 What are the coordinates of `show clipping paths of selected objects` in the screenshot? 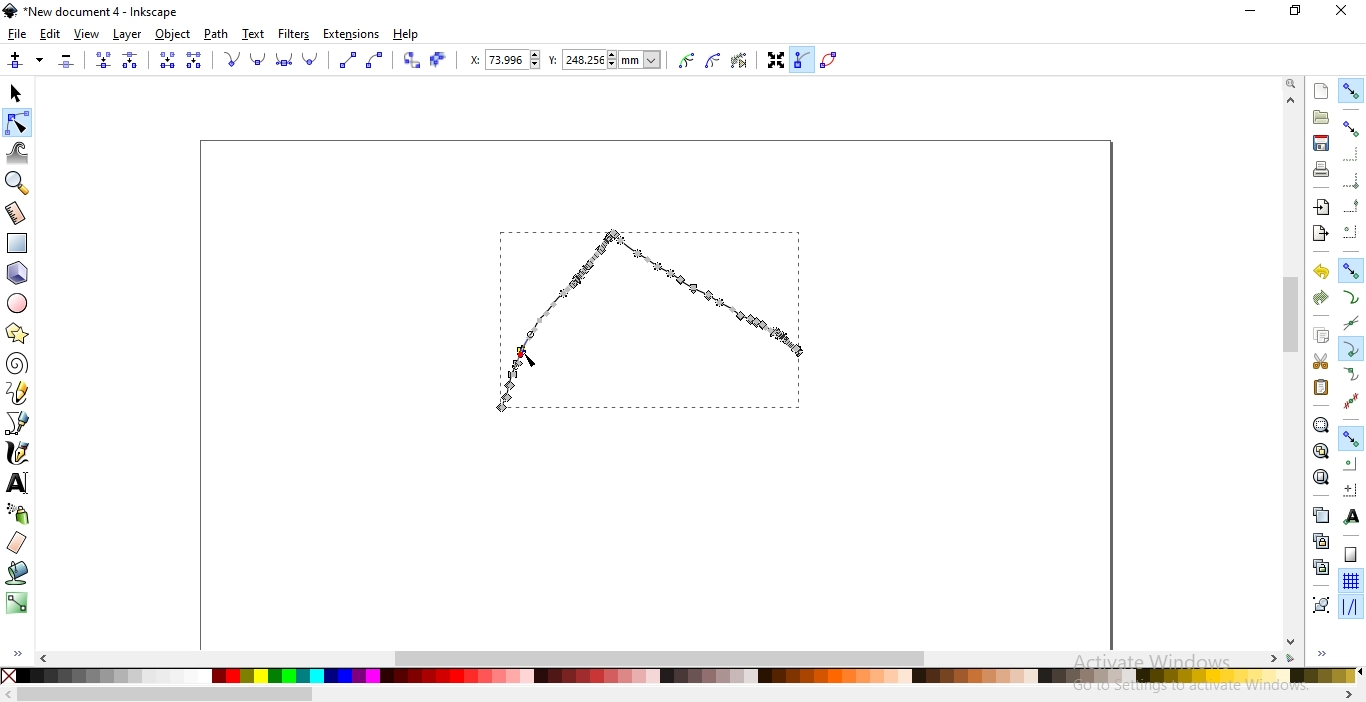 It's located at (687, 61).